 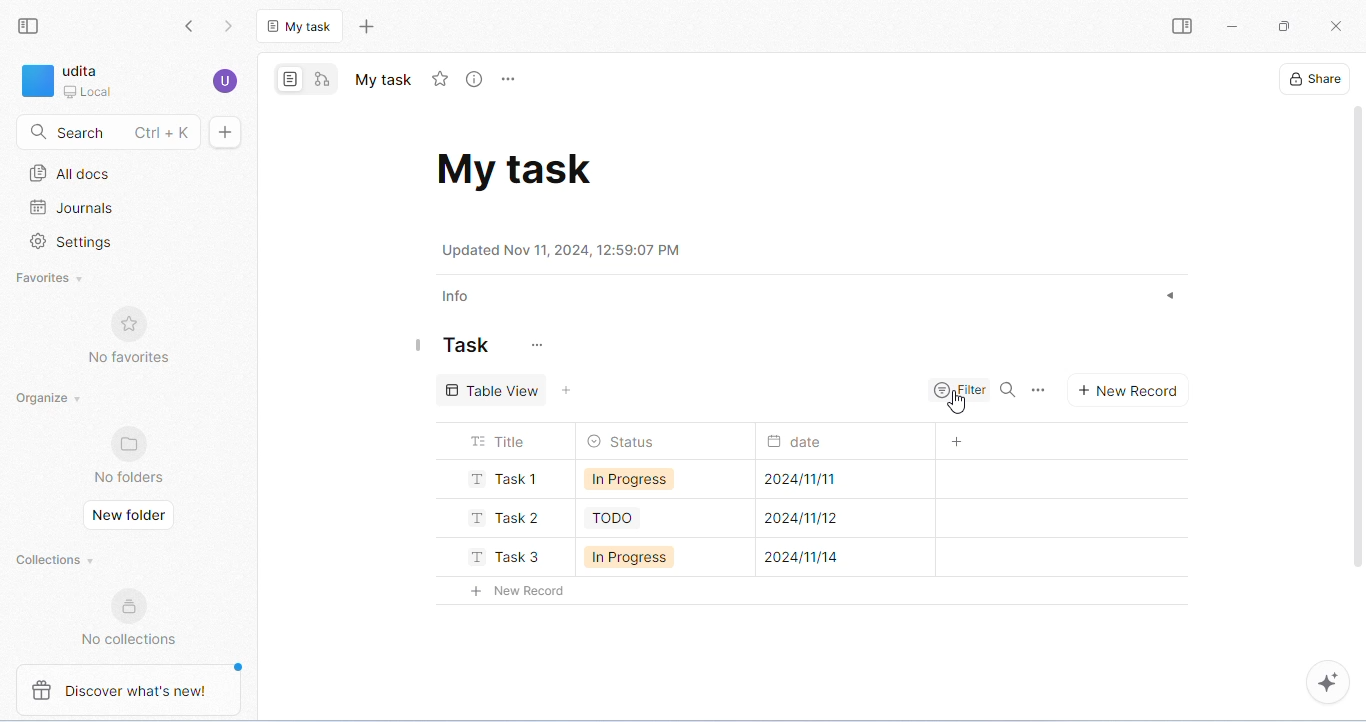 What do you see at coordinates (382, 79) in the screenshot?
I see `tab name` at bounding box center [382, 79].